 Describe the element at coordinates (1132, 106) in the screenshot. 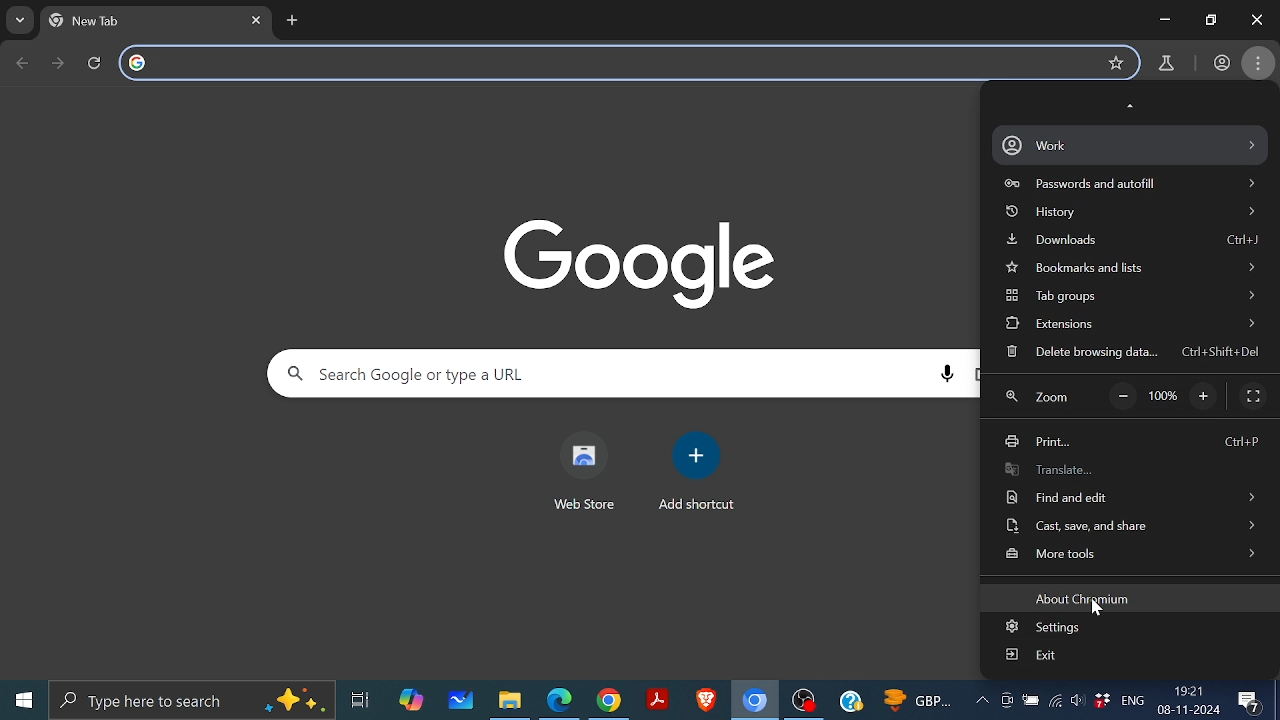

I see `Move upwards` at that location.